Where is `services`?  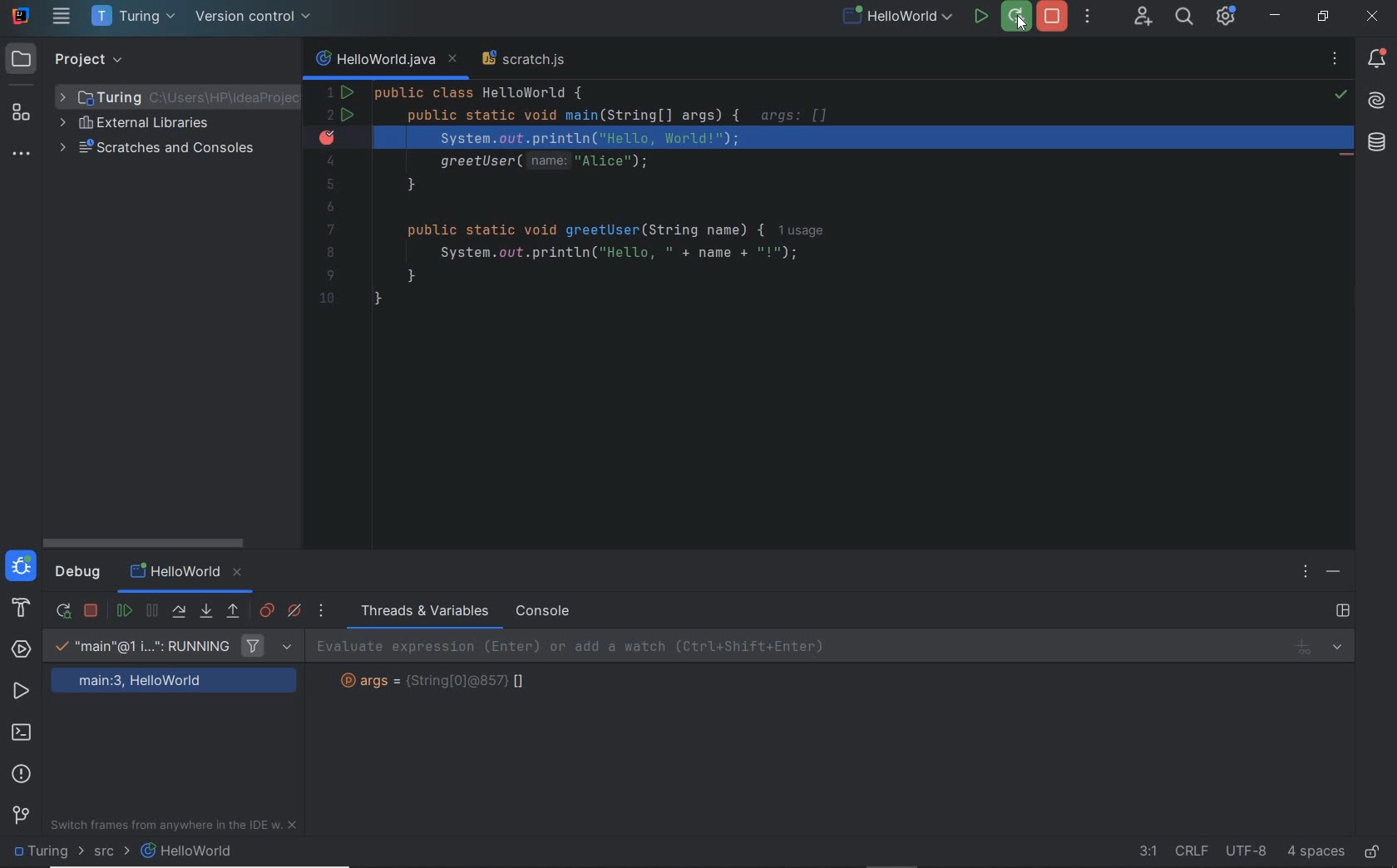 services is located at coordinates (21, 649).